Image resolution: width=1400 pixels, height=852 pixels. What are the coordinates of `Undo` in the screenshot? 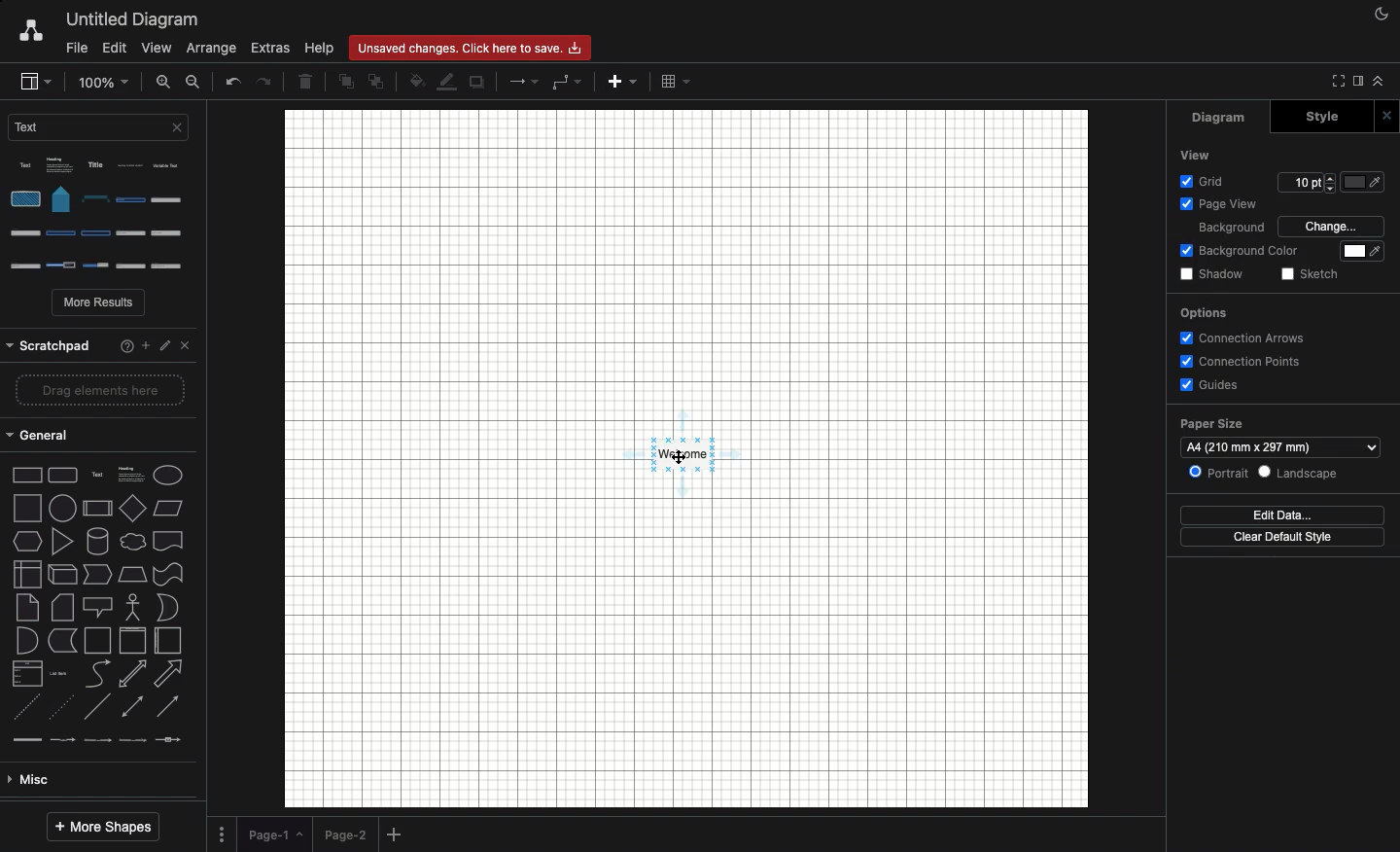 It's located at (232, 83).